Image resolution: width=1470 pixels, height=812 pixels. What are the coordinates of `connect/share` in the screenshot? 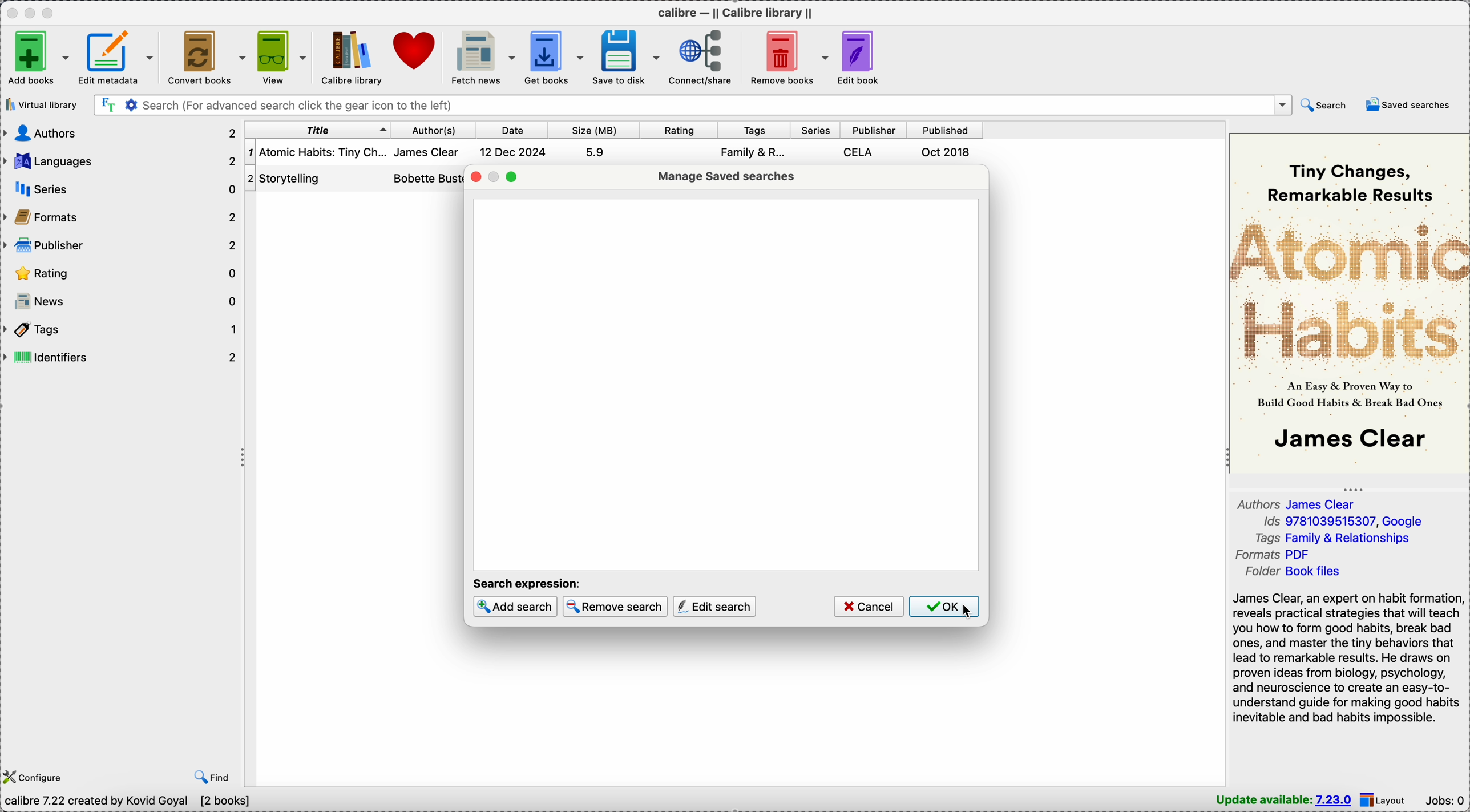 It's located at (701, 56).